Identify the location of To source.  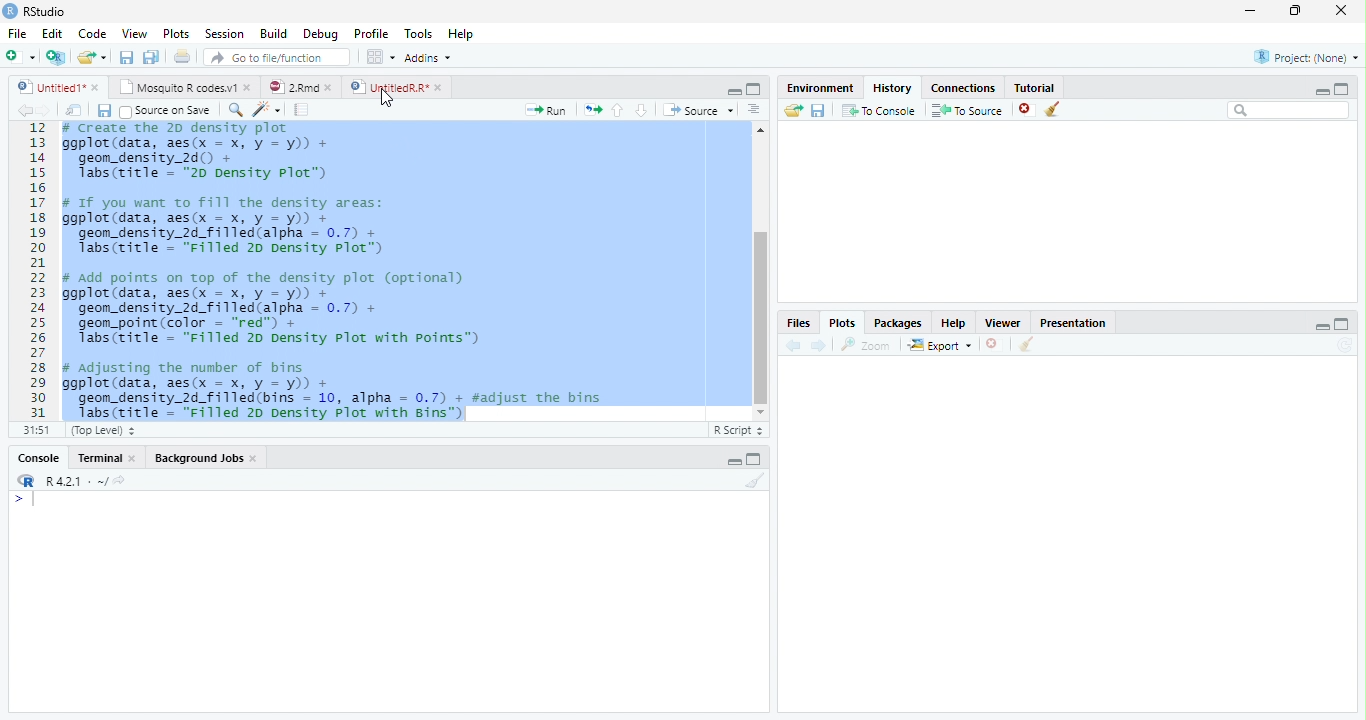
(968, 111).